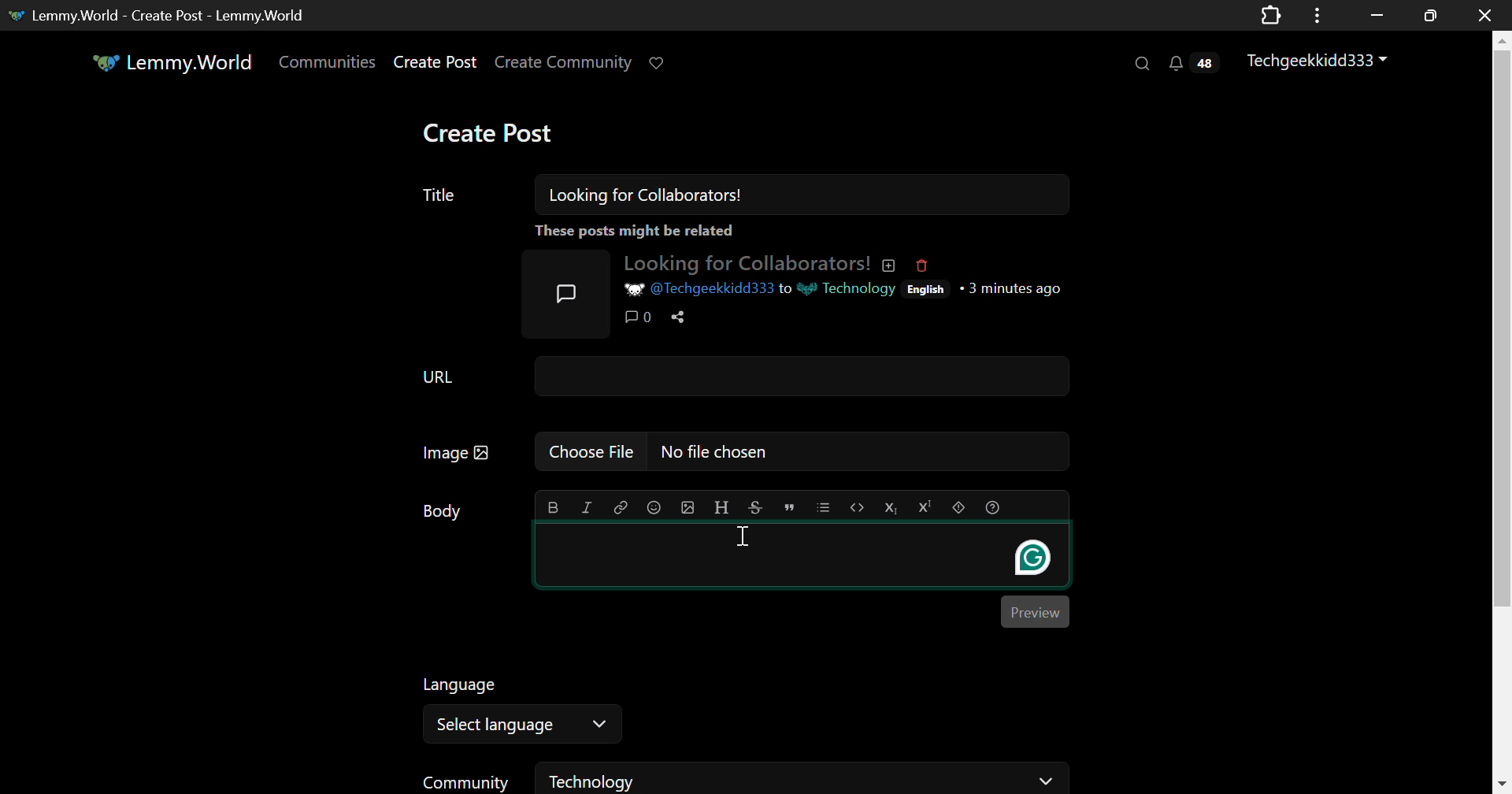 The width and height of the screenshot is (1512, 794). What do you see at coordinates (992, 508) in the screenshot?
I see `formatting help` at bounding box center [992, 508].